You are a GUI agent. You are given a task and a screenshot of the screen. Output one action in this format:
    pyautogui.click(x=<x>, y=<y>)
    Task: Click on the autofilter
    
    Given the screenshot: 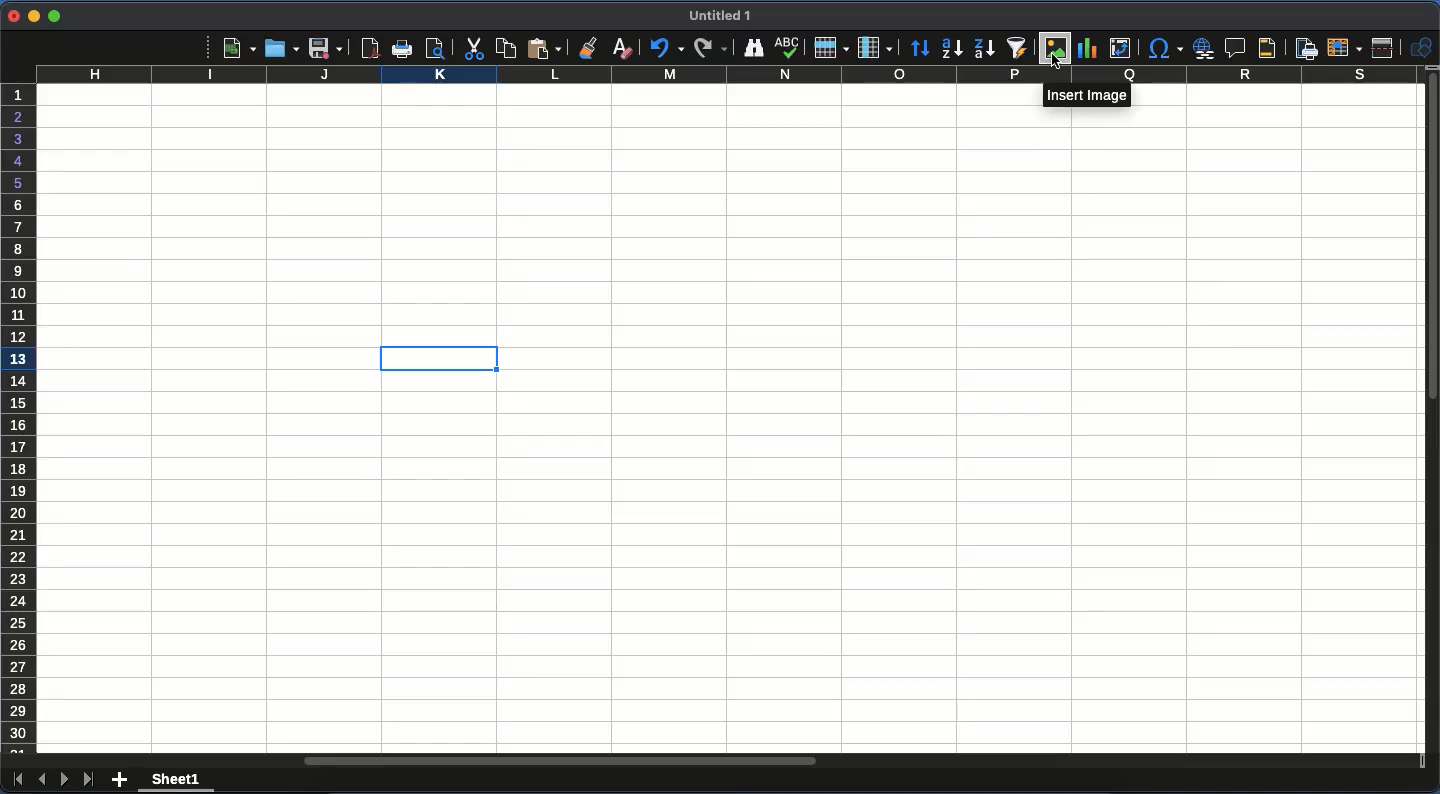 What is the action you would take?
    pyautogui.click(x=1016, y=49)
    